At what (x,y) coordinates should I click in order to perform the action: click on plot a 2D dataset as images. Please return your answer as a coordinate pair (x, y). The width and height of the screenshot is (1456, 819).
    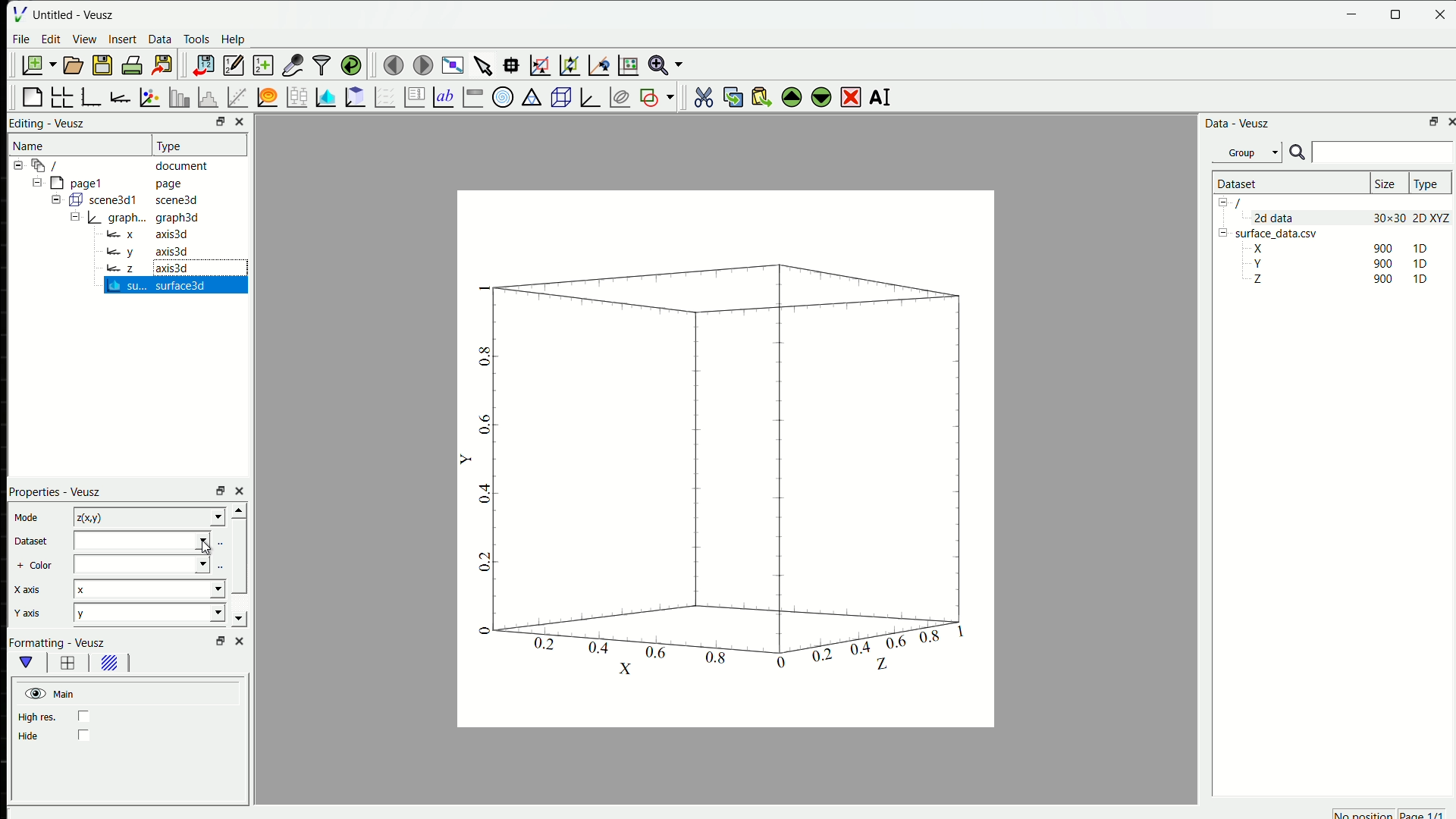
    Looking at the image, I should click on (327, 96).